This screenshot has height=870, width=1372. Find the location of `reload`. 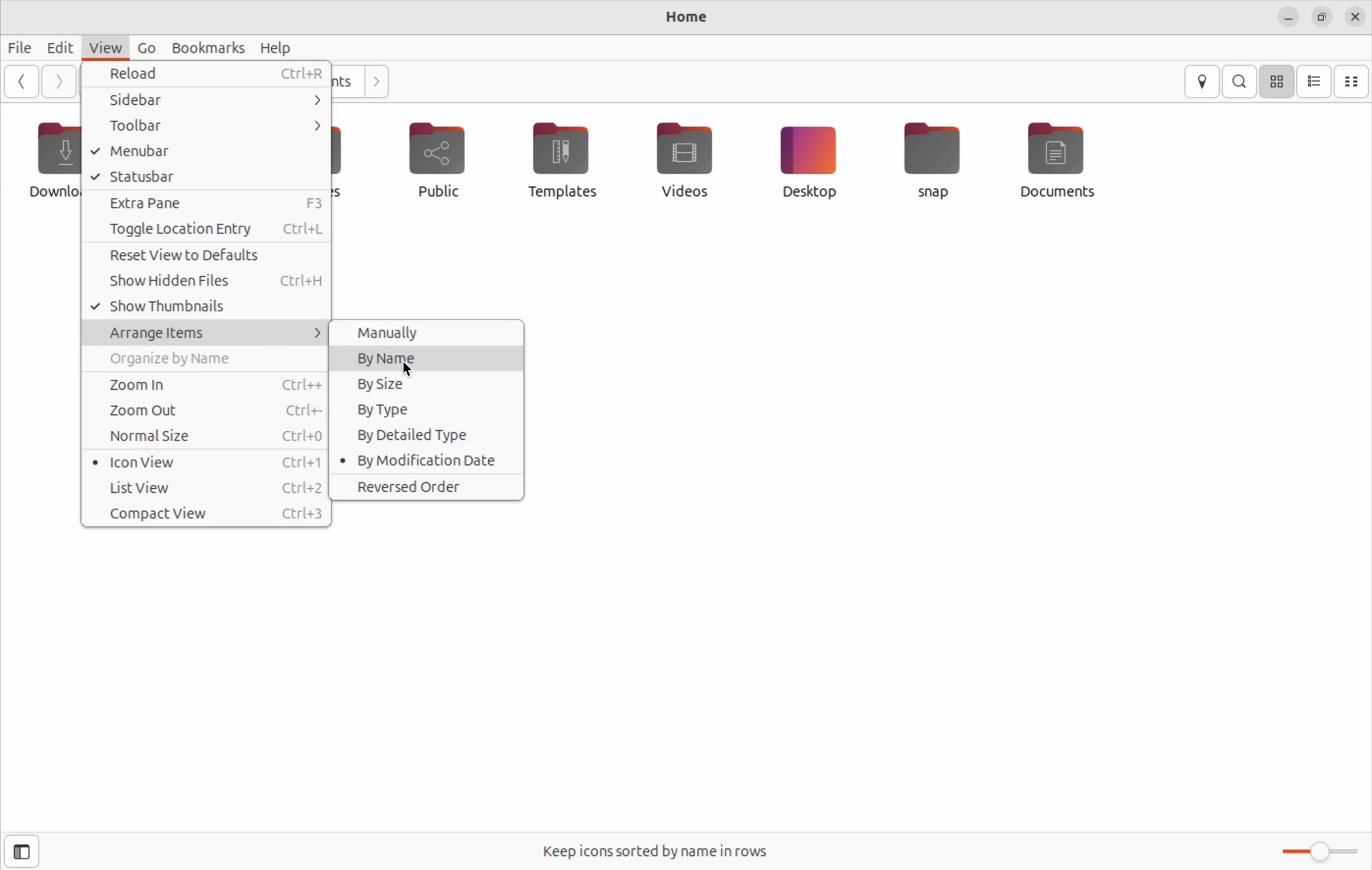

reload is located at coordinates (211, 73).